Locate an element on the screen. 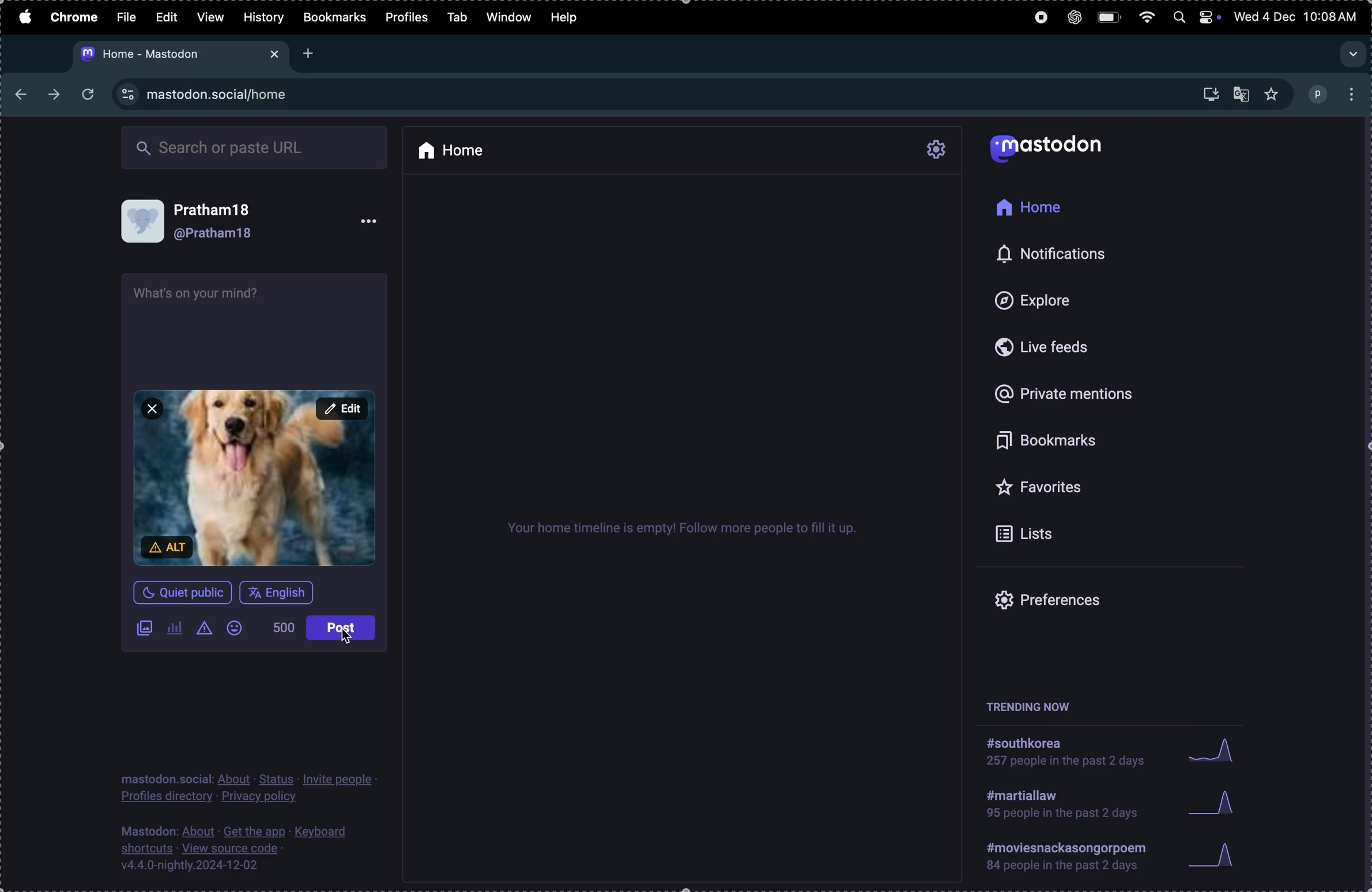 Image resolution: width=1372 pixels, height=892 pixels. 500 is located at coordinates (285, 629).